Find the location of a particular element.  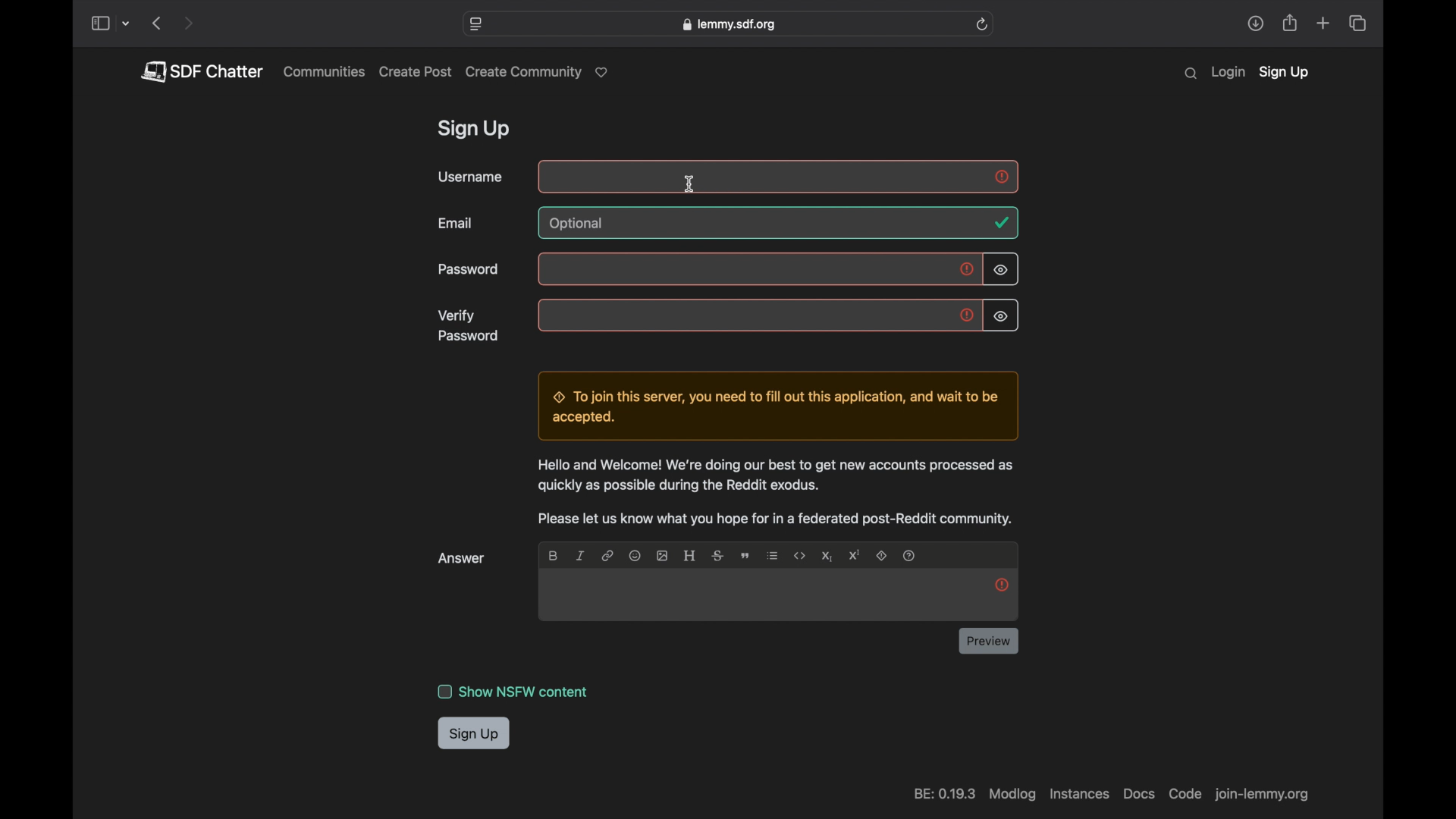

optional is located at coordinates (579, 224).